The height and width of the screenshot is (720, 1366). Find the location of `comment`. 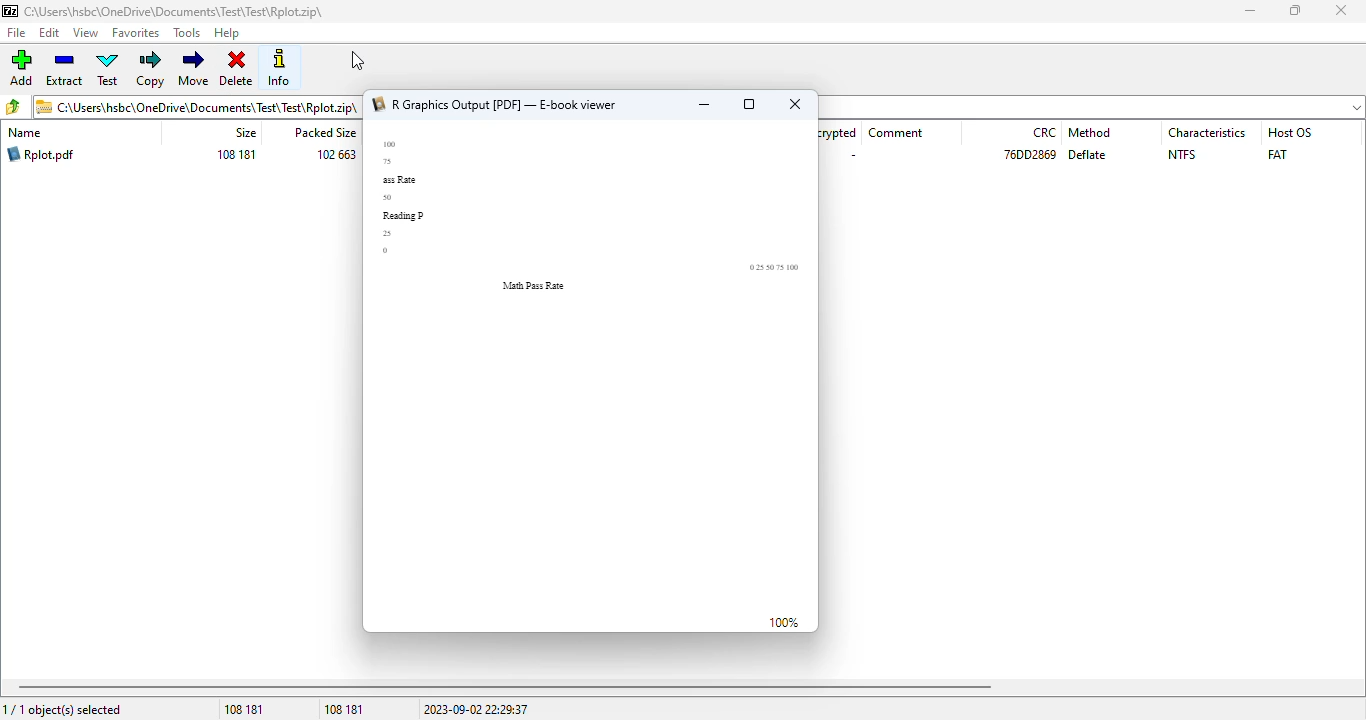

comment is located at coordinates (896, 133).